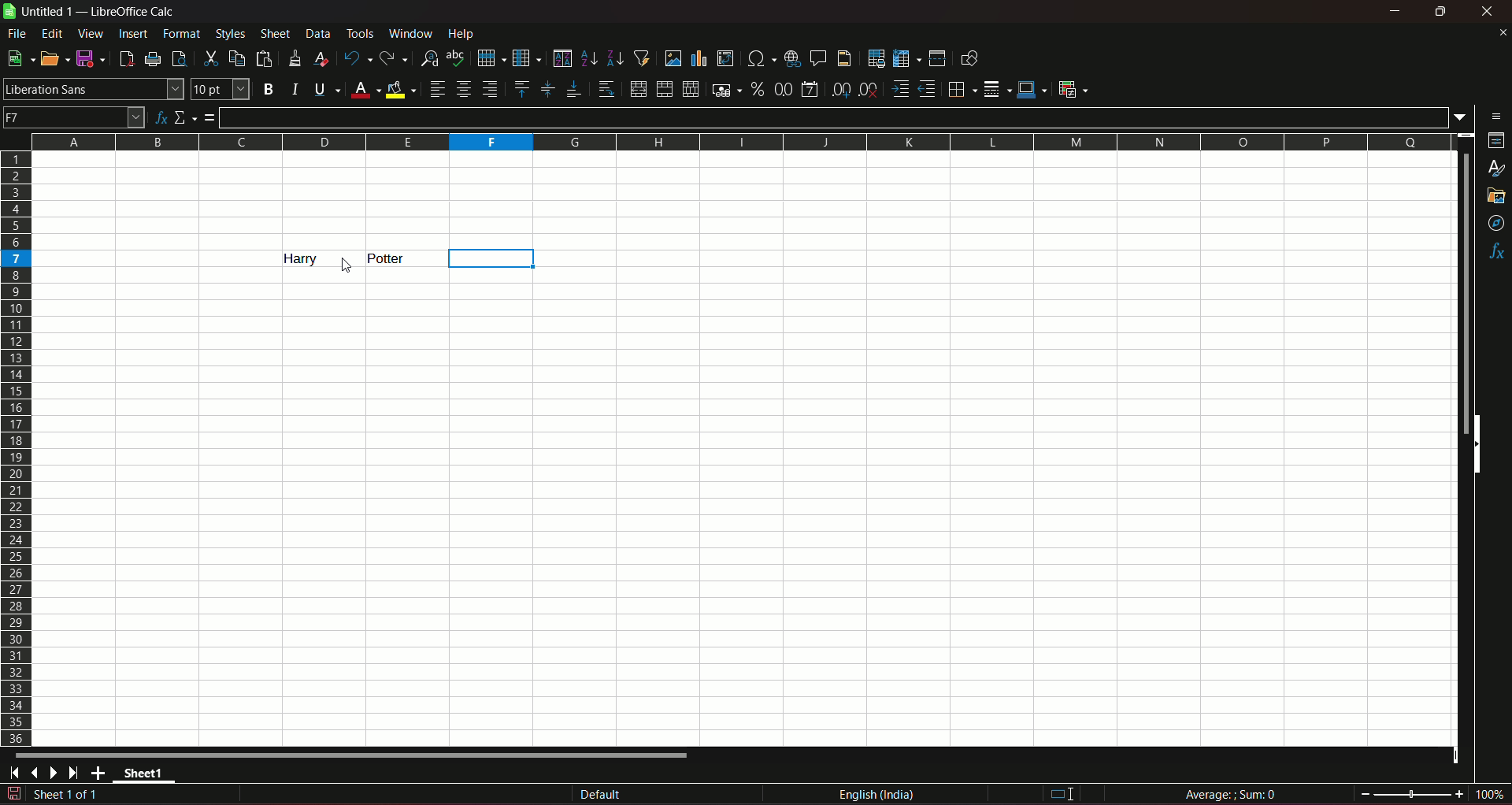  Describe the element at coordinates (1496, 253) in the screenshot. I see `functions` at that location.